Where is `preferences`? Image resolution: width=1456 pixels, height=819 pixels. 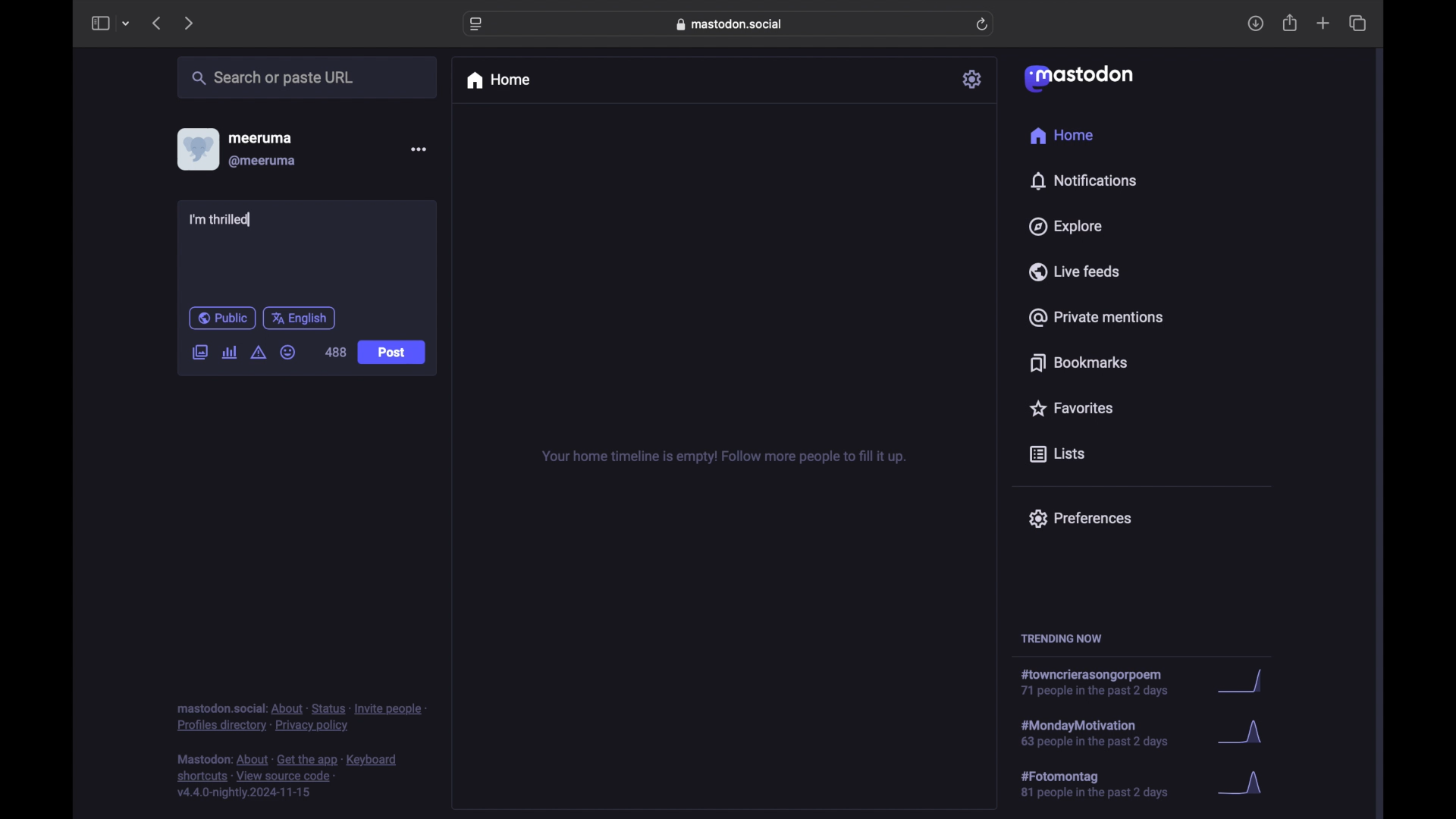 preferences is located at coordinates (1080, 519).